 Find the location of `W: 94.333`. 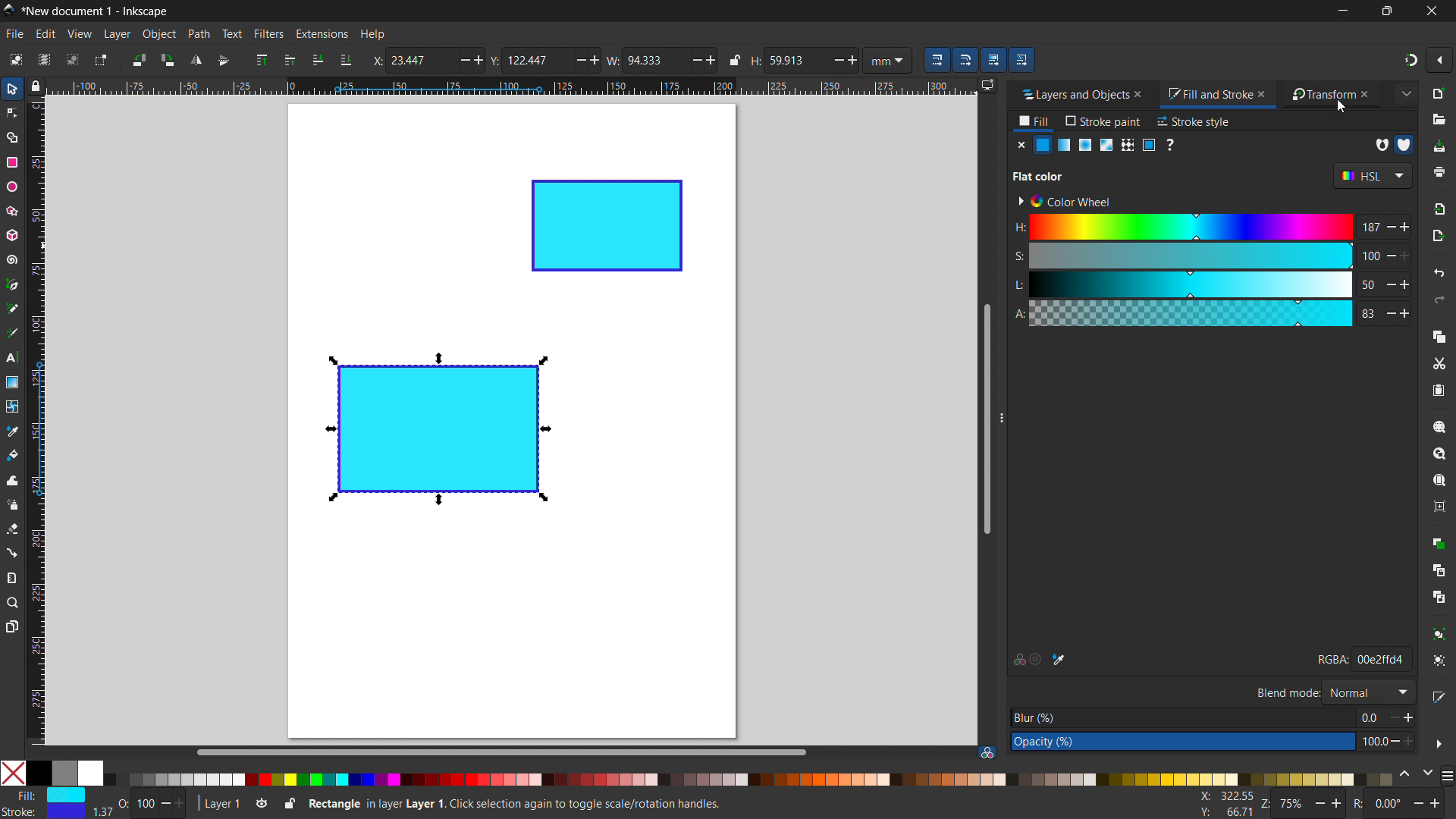

W: 94.333 is located at coordinates (643, 59).